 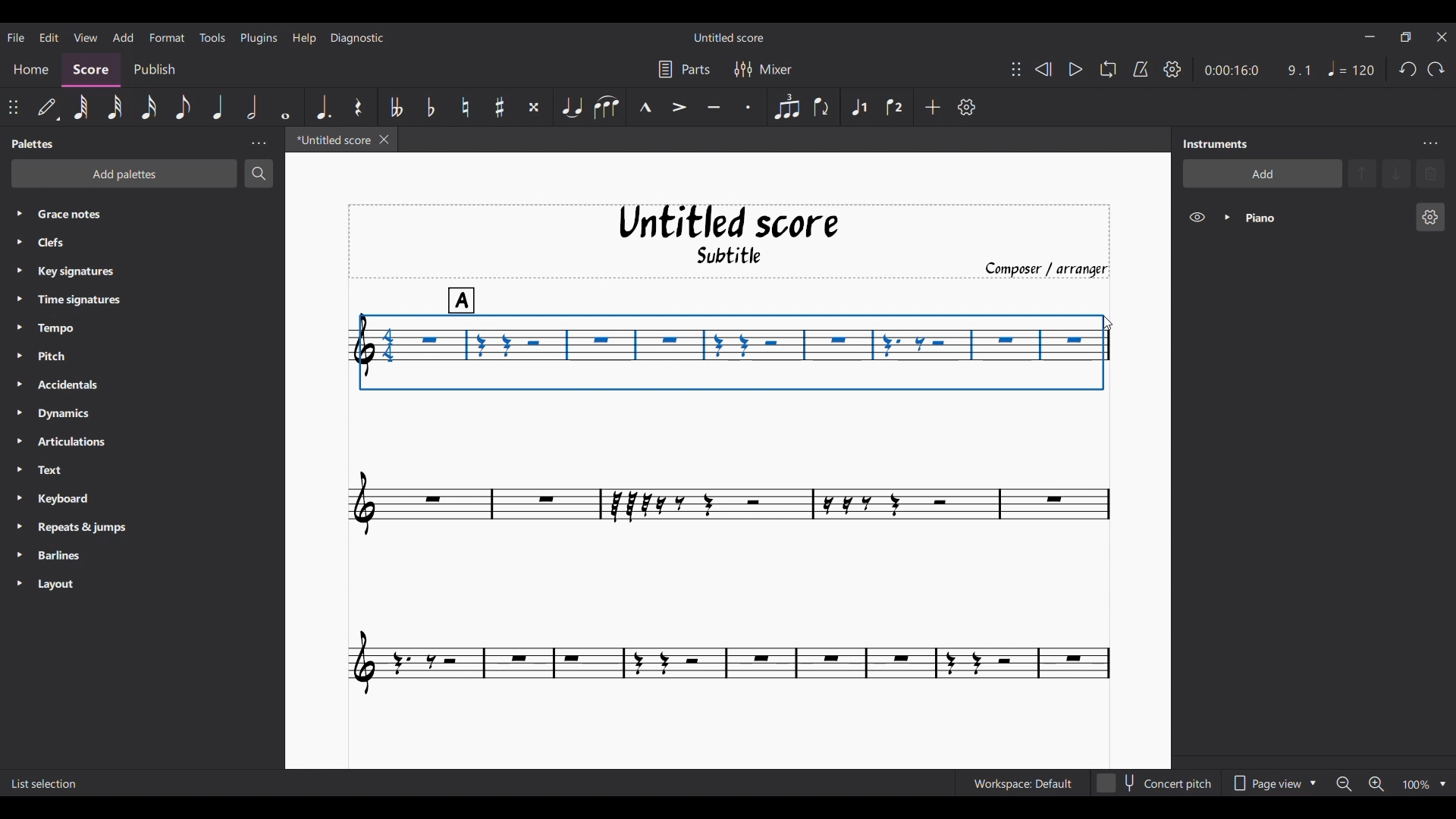 What do you see at coordinates (85, 442) in the screenshot?
I see `Articulations` at bounding box center [85, 442].